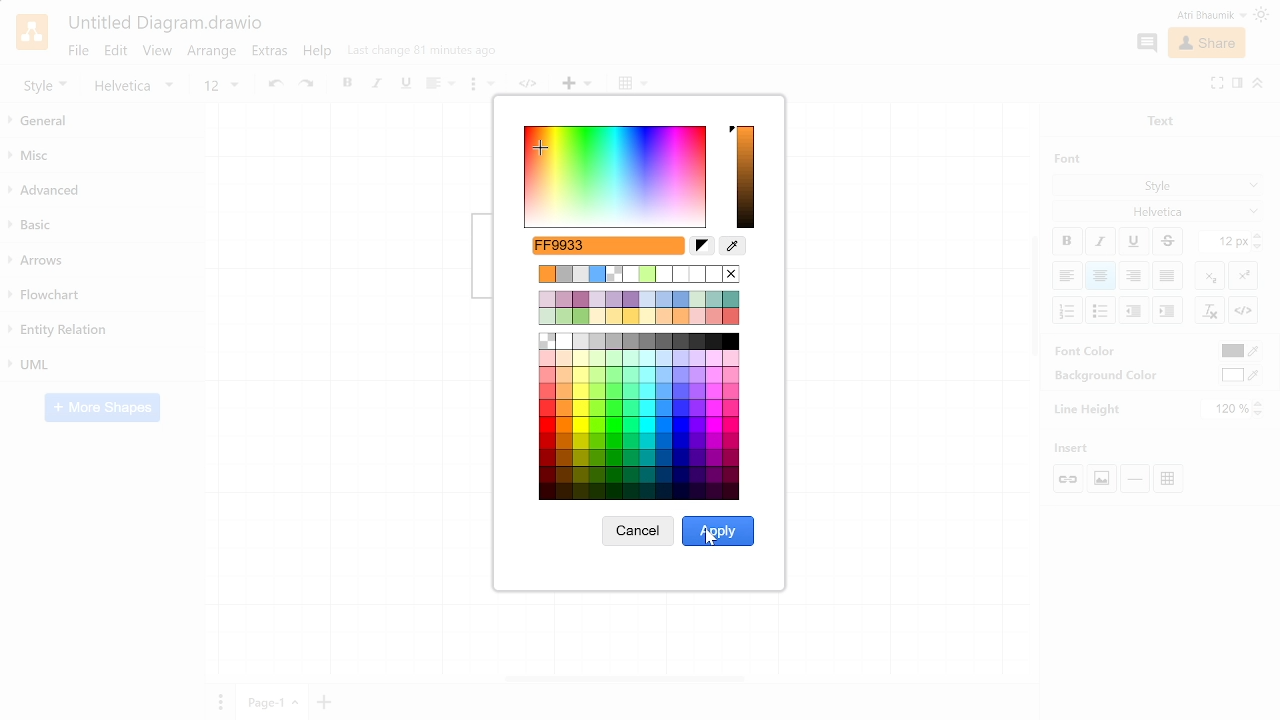  What do you see at coordinates (1243, 274) in the screenshot?
I see `Superscript` at bounding box center [1243, 274].